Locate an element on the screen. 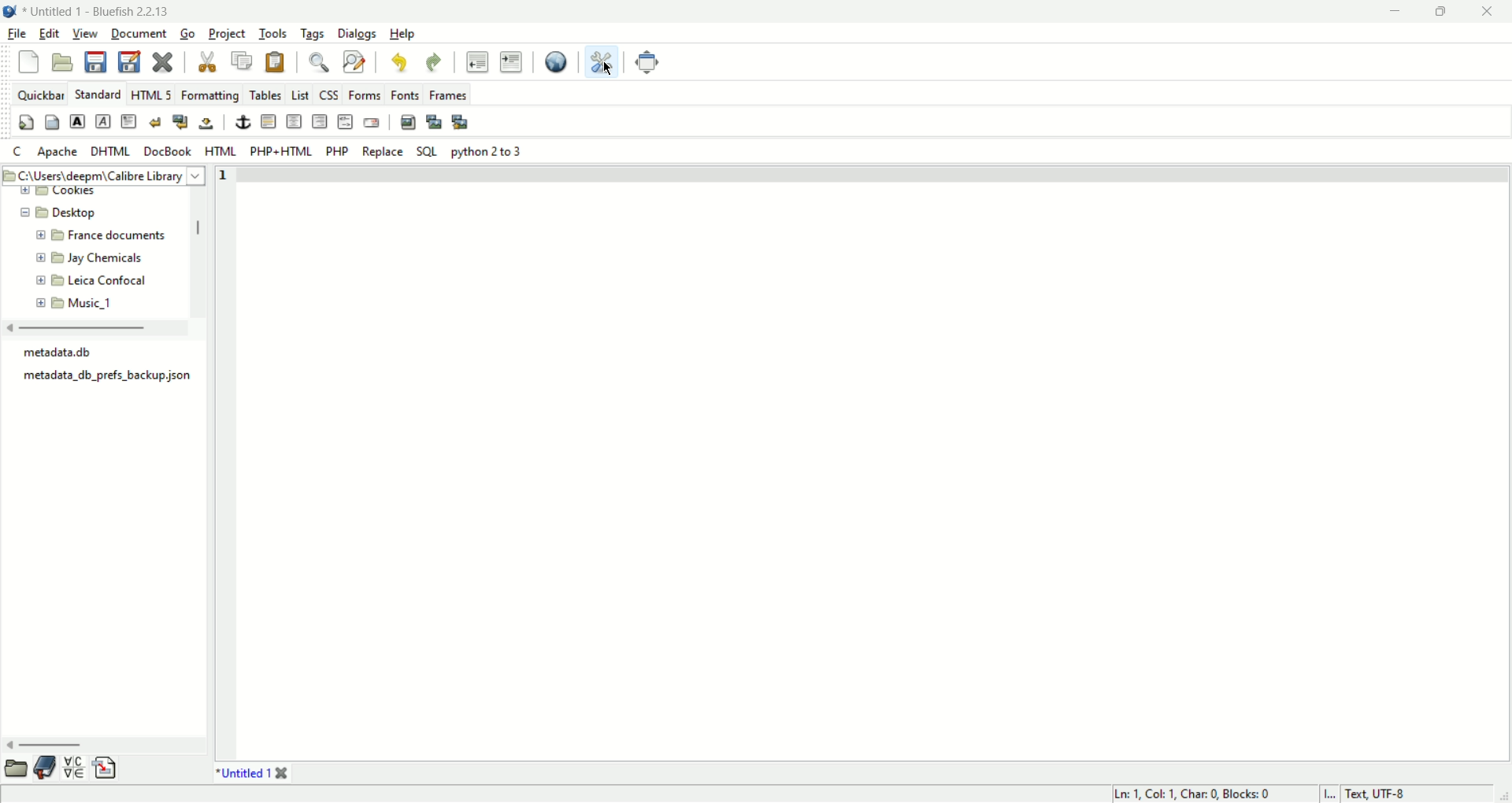 Image resolution: width=1512 pixels, height=803 pixels. Frames is located at coordinates (447, 95).